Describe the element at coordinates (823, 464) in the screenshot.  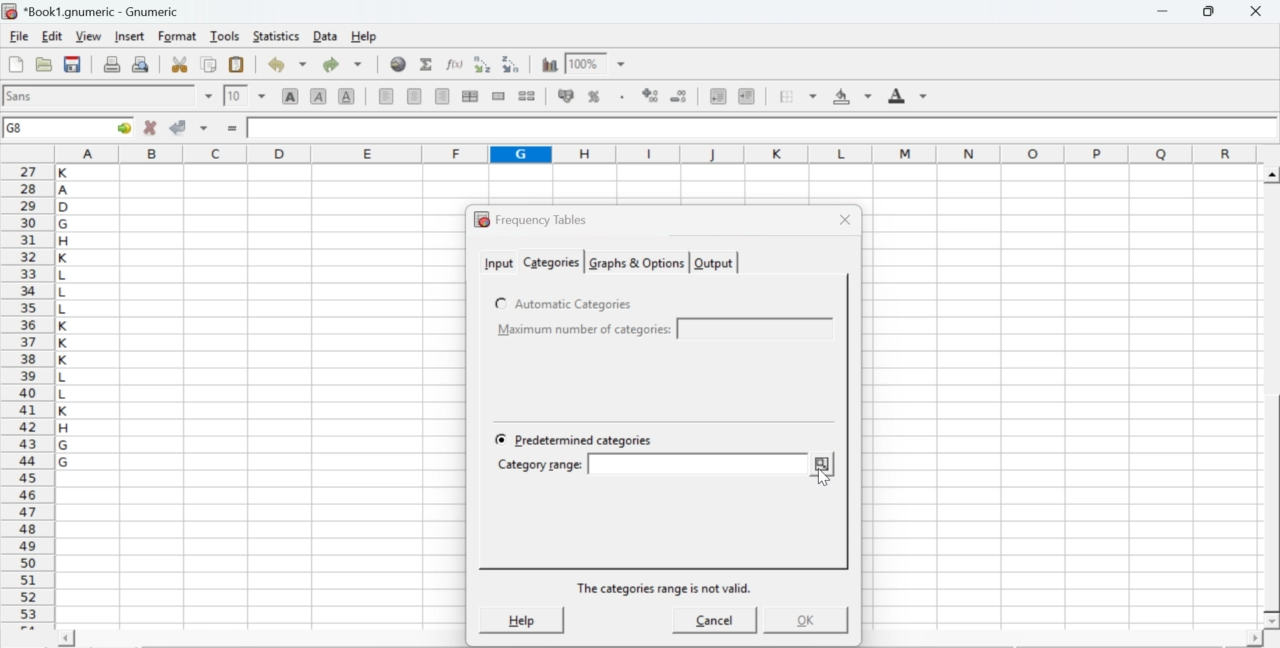
I see `more` at that location.